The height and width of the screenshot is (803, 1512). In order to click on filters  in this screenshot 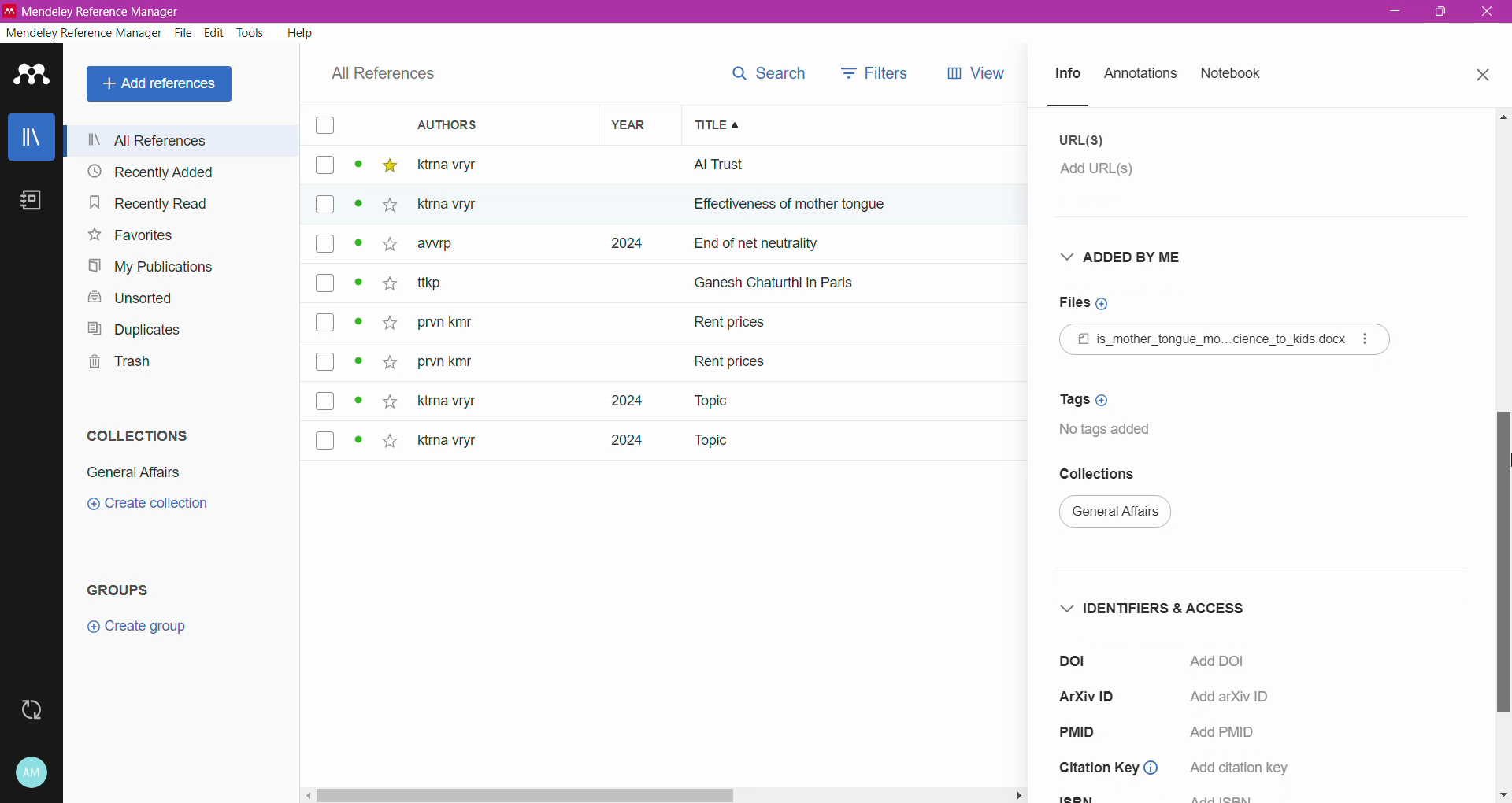, I will do `click(875, 72)`.